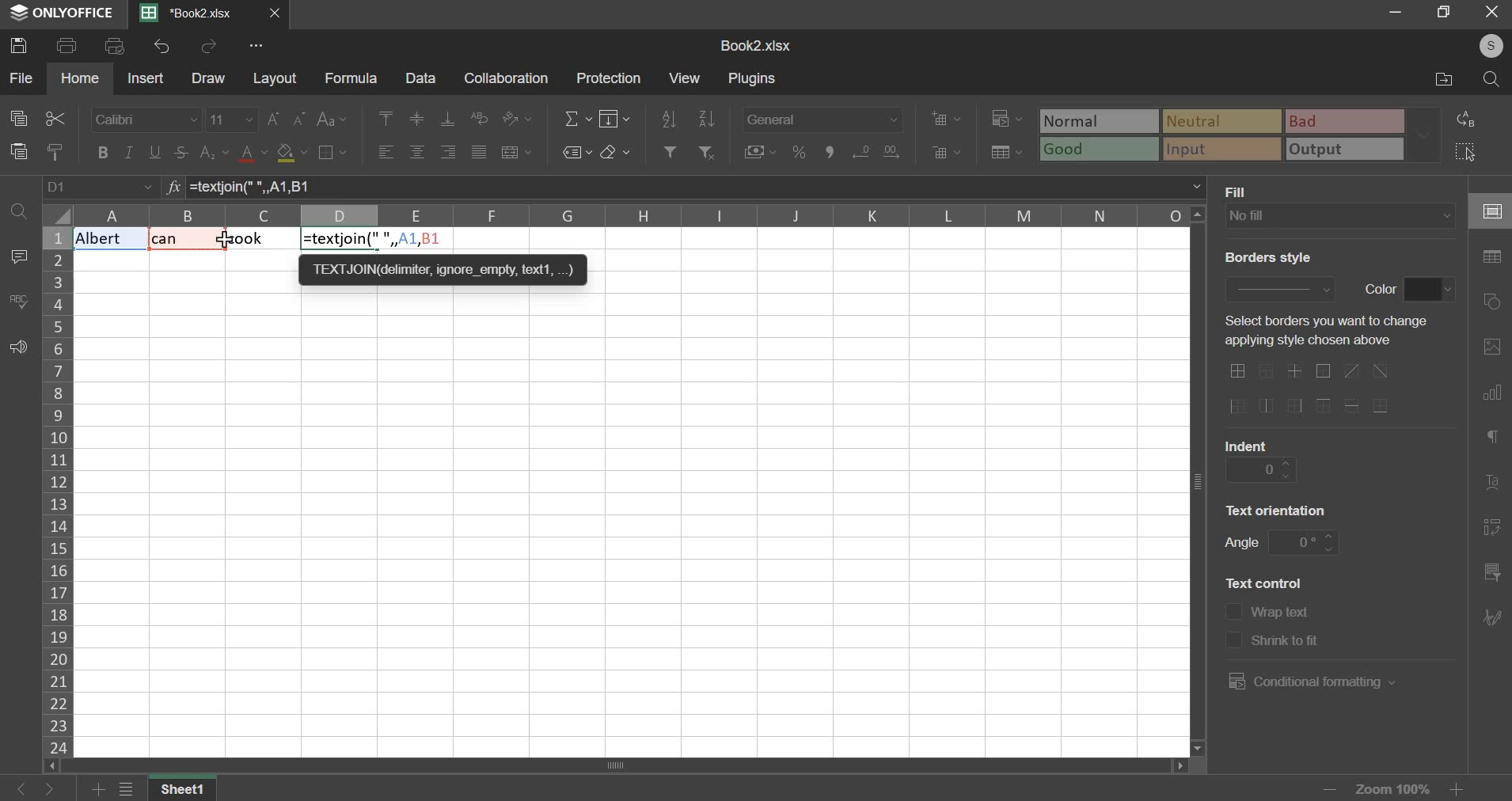 Image resolution: width=1512 pixels, height=801 pixels. What do you see at coordinates (419, 119) in the screenshot?
I see `align middle` at bounding box center [419, 119].